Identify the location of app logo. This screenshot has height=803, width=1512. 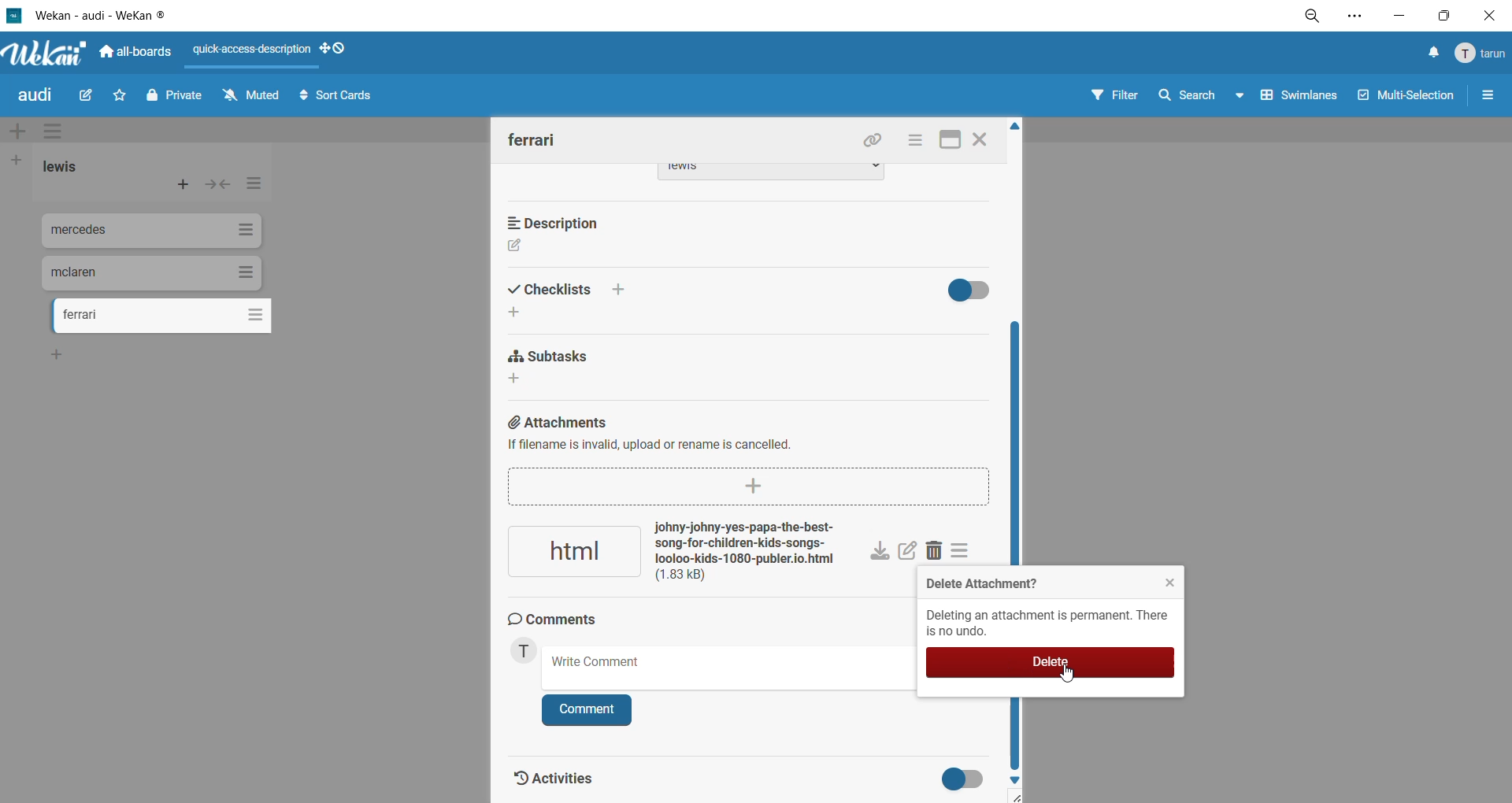
(43, 50).